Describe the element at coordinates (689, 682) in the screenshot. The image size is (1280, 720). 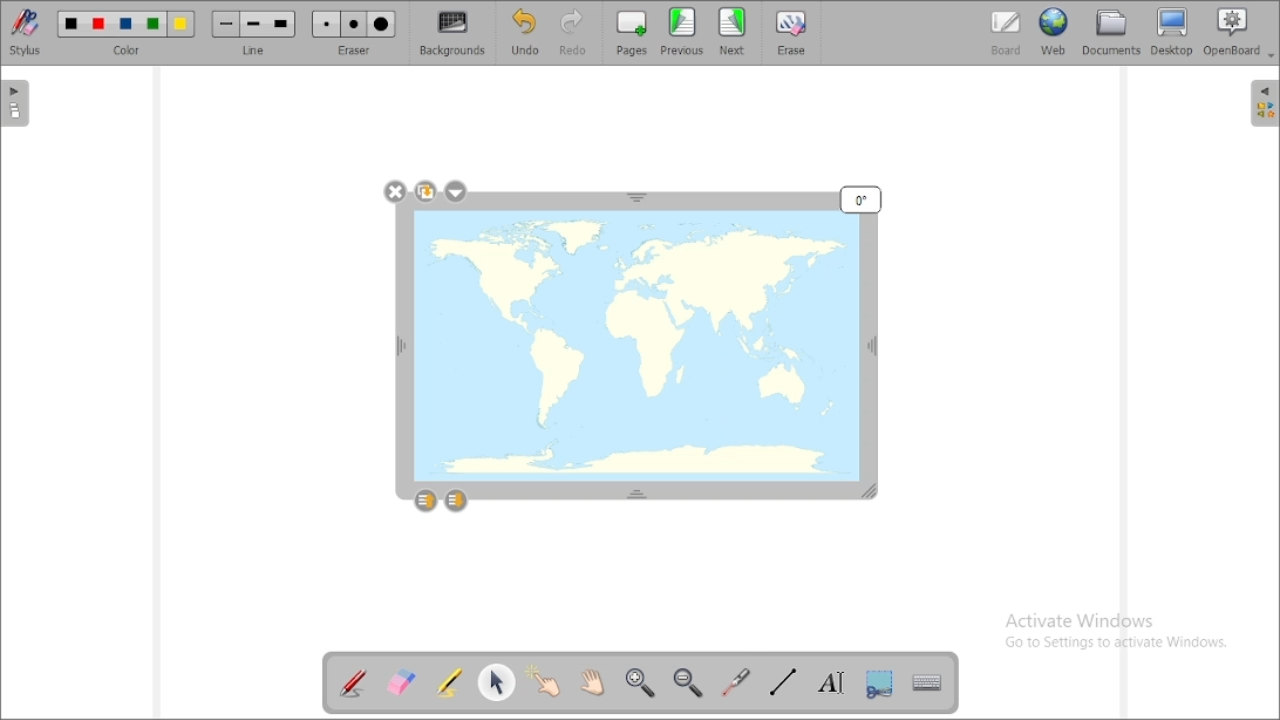
I see `zoom out` at that location.